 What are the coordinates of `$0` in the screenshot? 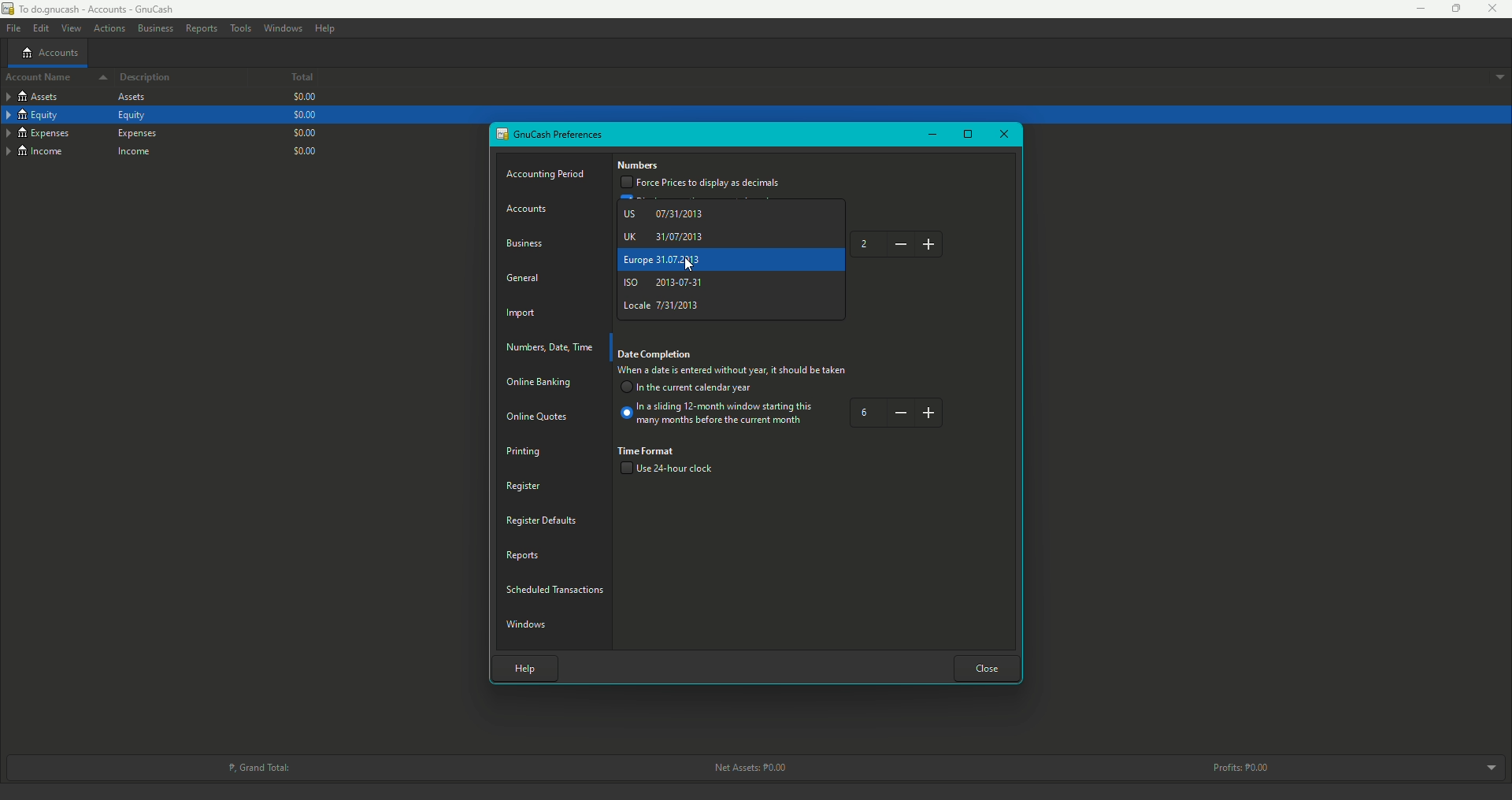 It's located at (308, 150).